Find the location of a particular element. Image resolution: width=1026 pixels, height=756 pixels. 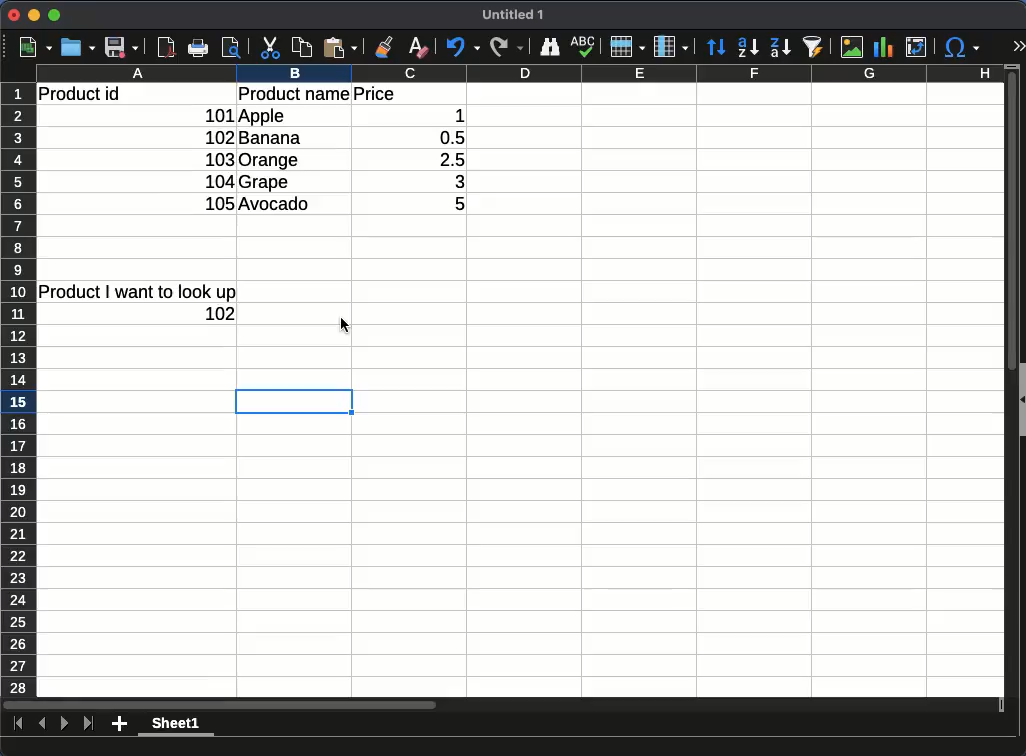

image is located at coordinates (852, 47).